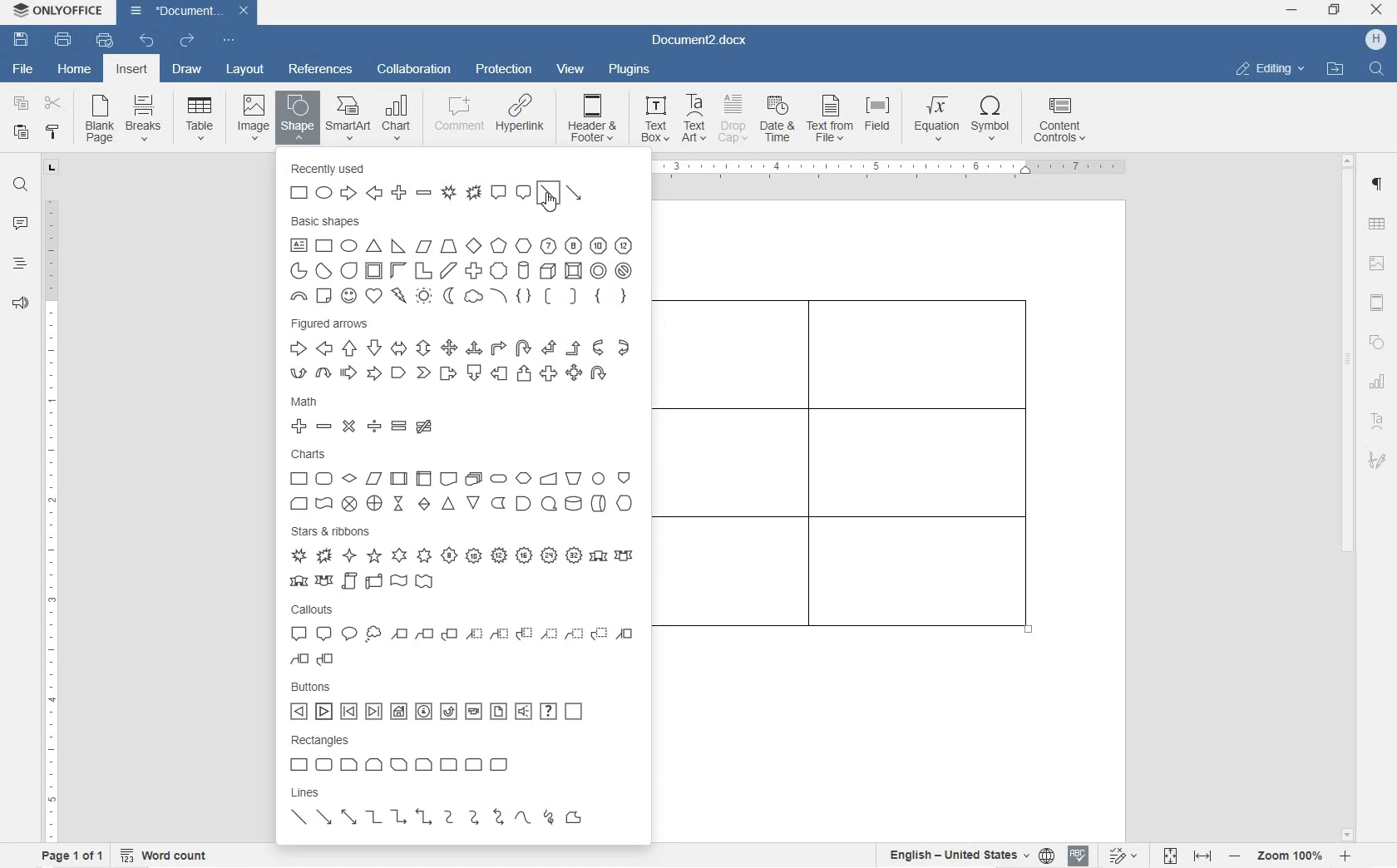  Describe the element at coordinates (897, 170) in the screenshot. I see `ruler` at that location.